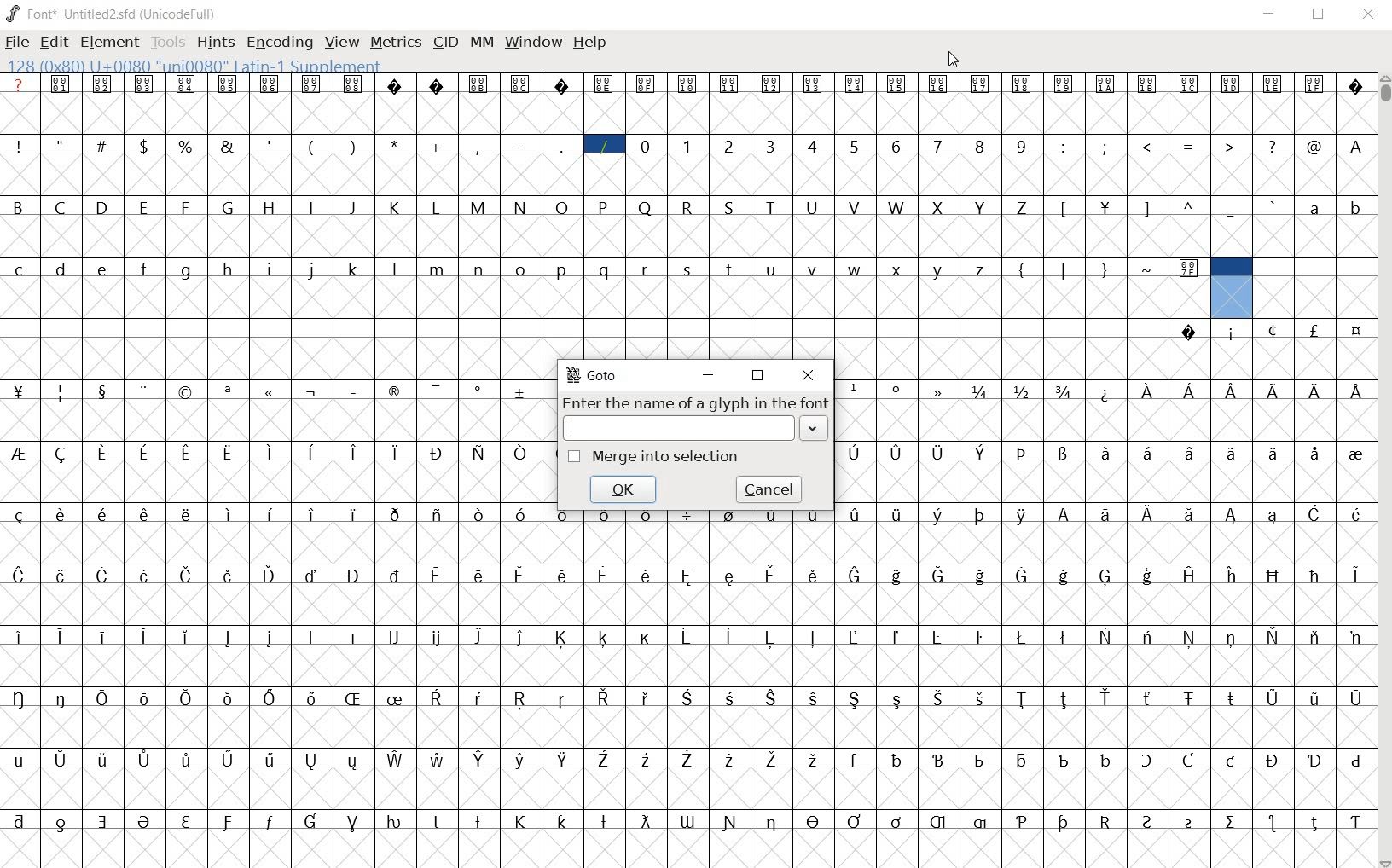  What do you see at coordinates (604, 84) in the screenshot?
I see `Symbol` at bounding box center [604, 84].